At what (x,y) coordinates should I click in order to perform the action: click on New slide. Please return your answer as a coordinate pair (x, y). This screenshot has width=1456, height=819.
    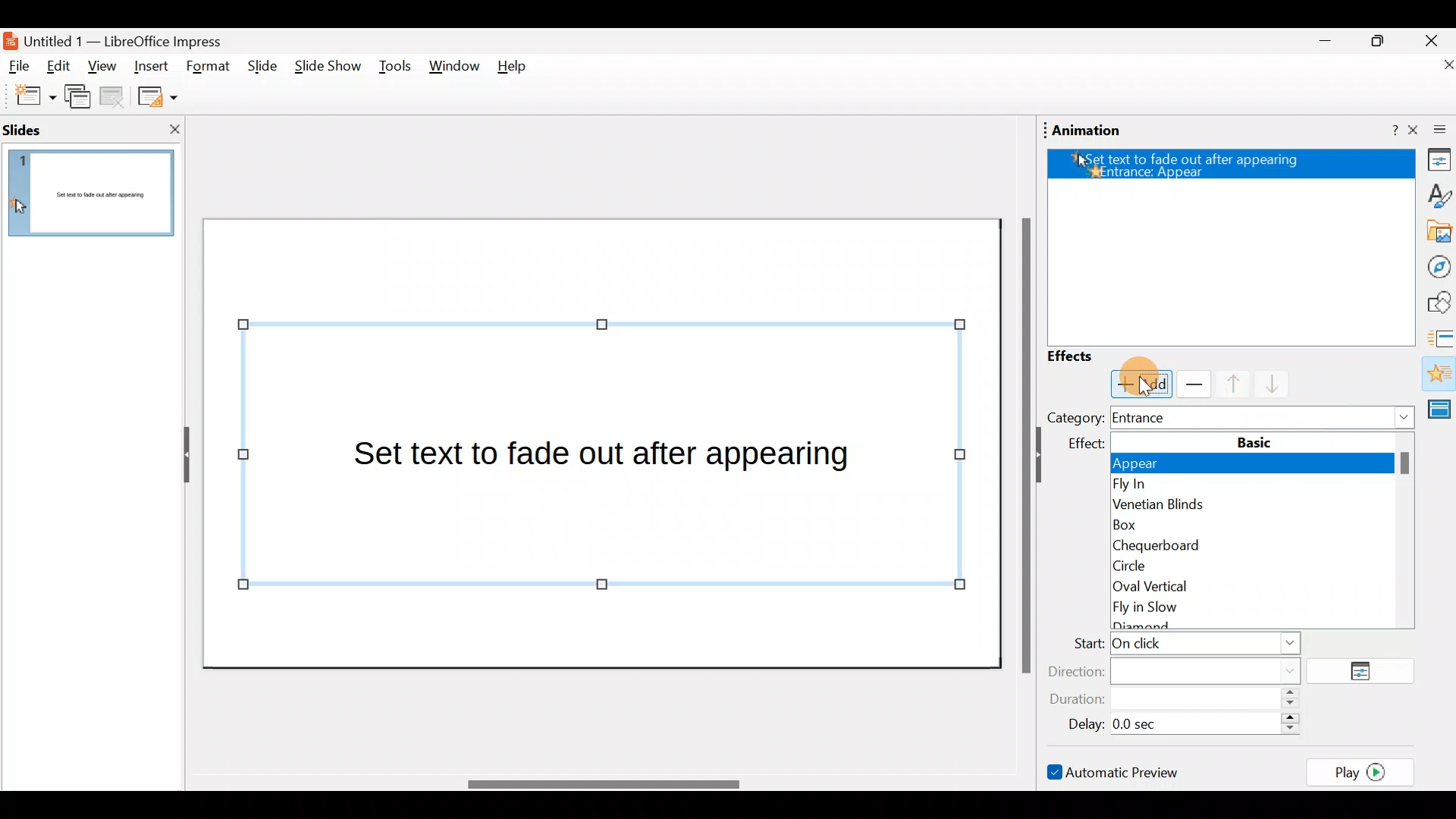
    Looking at the image, I should click on (28, 96).